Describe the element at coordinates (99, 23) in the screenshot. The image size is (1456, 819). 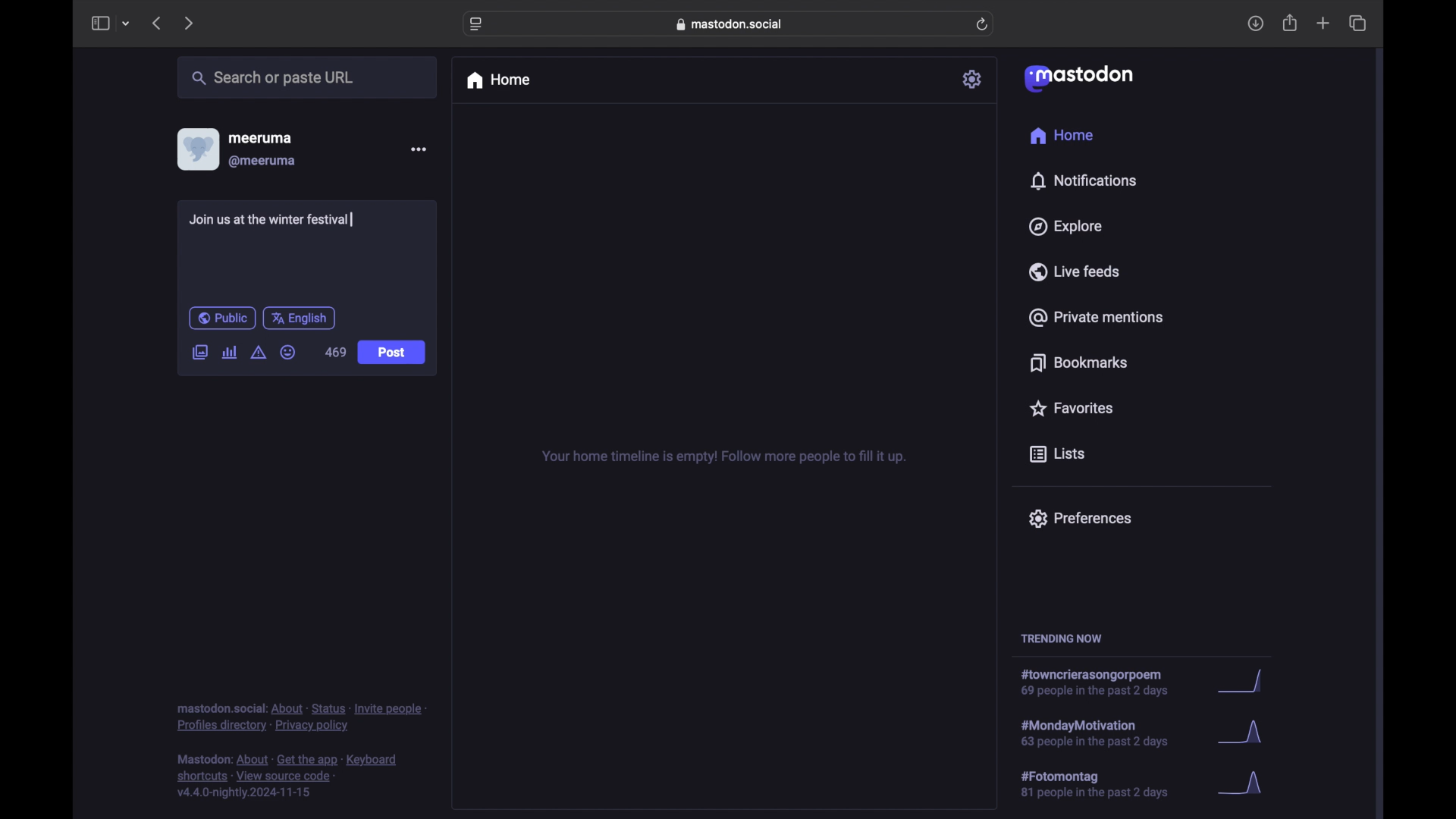
I see `sidebar` at that location.